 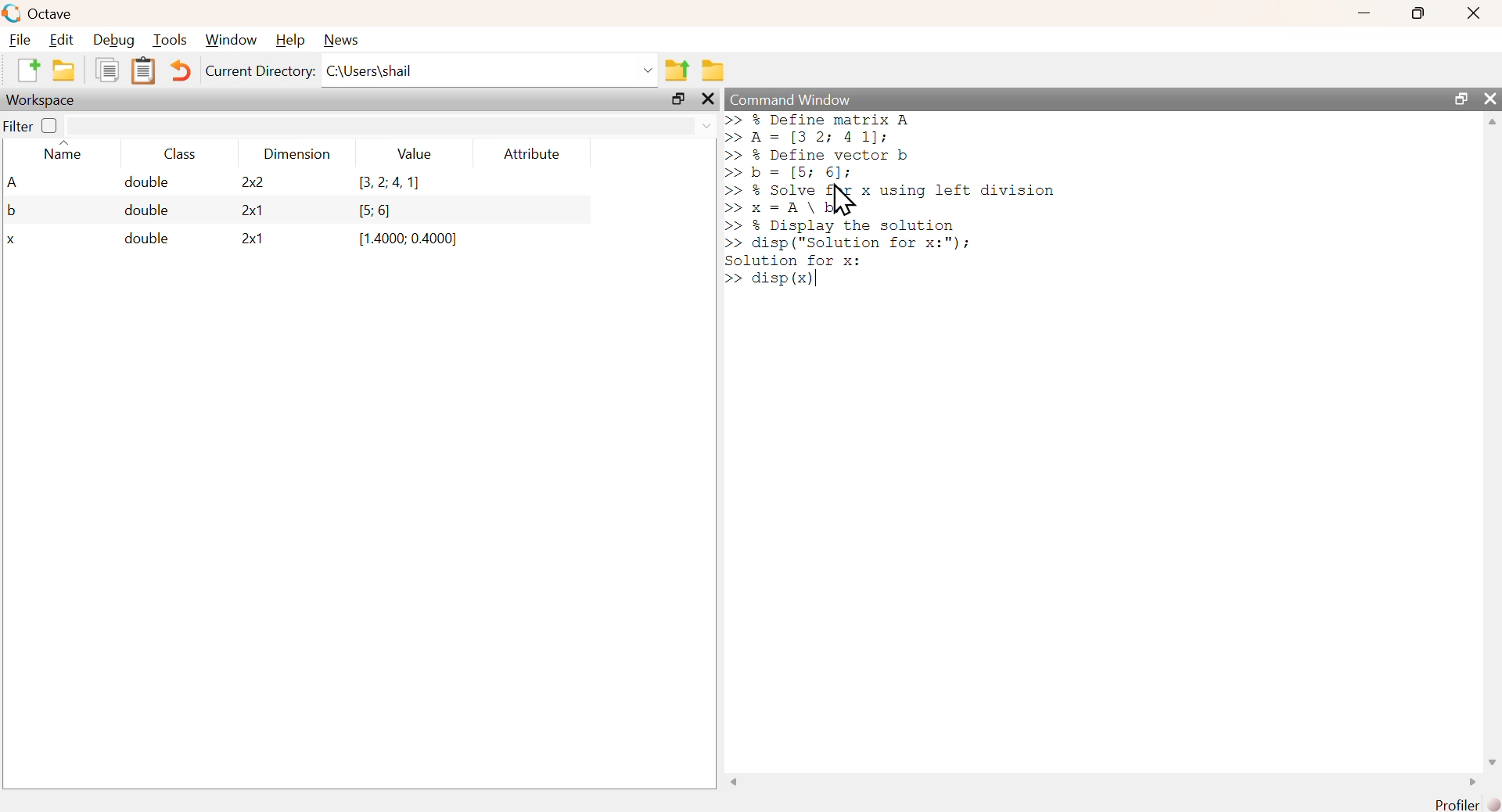 I want to click on maximize, so click(x=679, y=99).